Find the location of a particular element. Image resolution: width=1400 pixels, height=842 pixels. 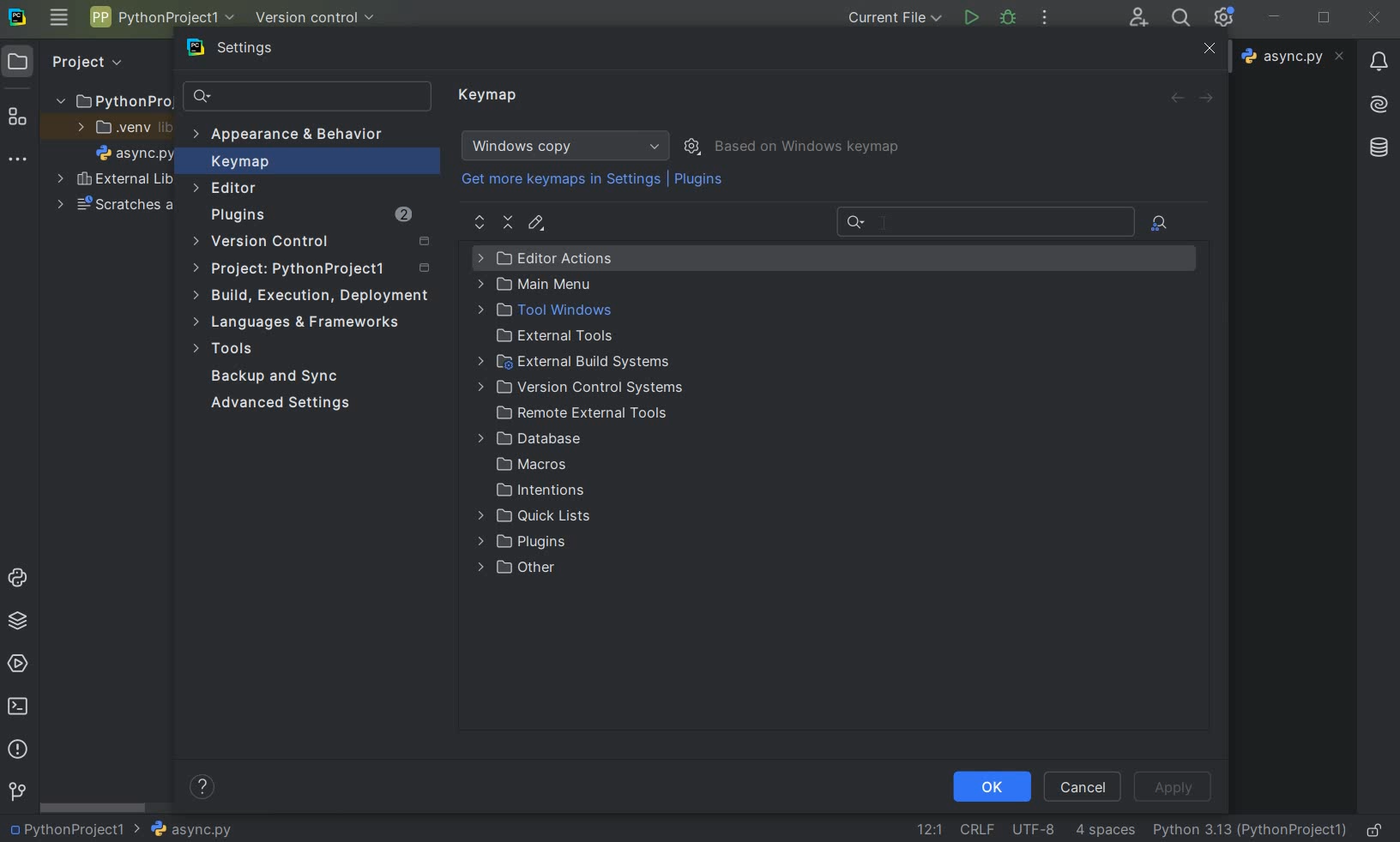

ide and project settings is located at coordinates (1225, 17).